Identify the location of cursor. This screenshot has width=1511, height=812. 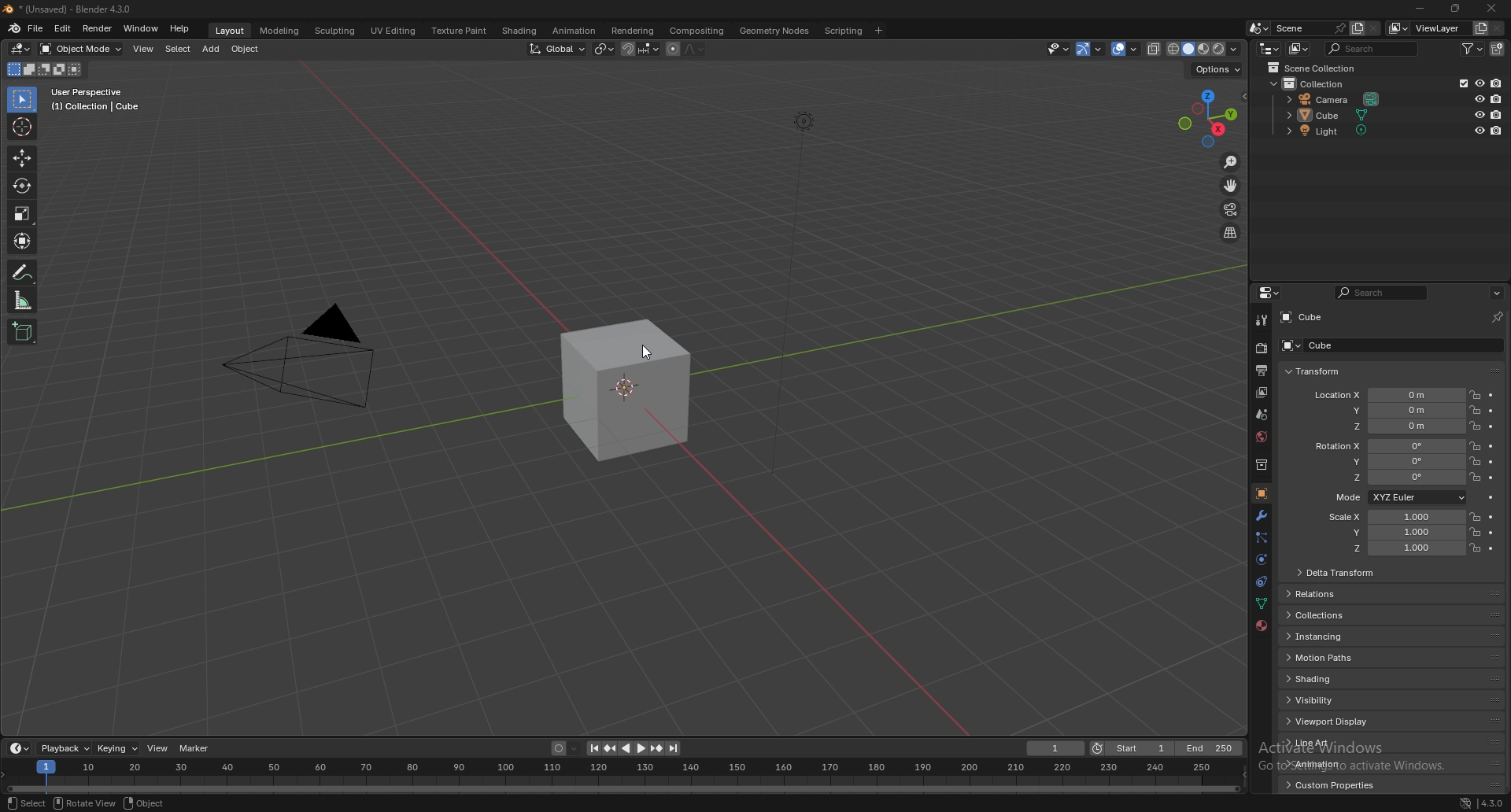
(21, 125).